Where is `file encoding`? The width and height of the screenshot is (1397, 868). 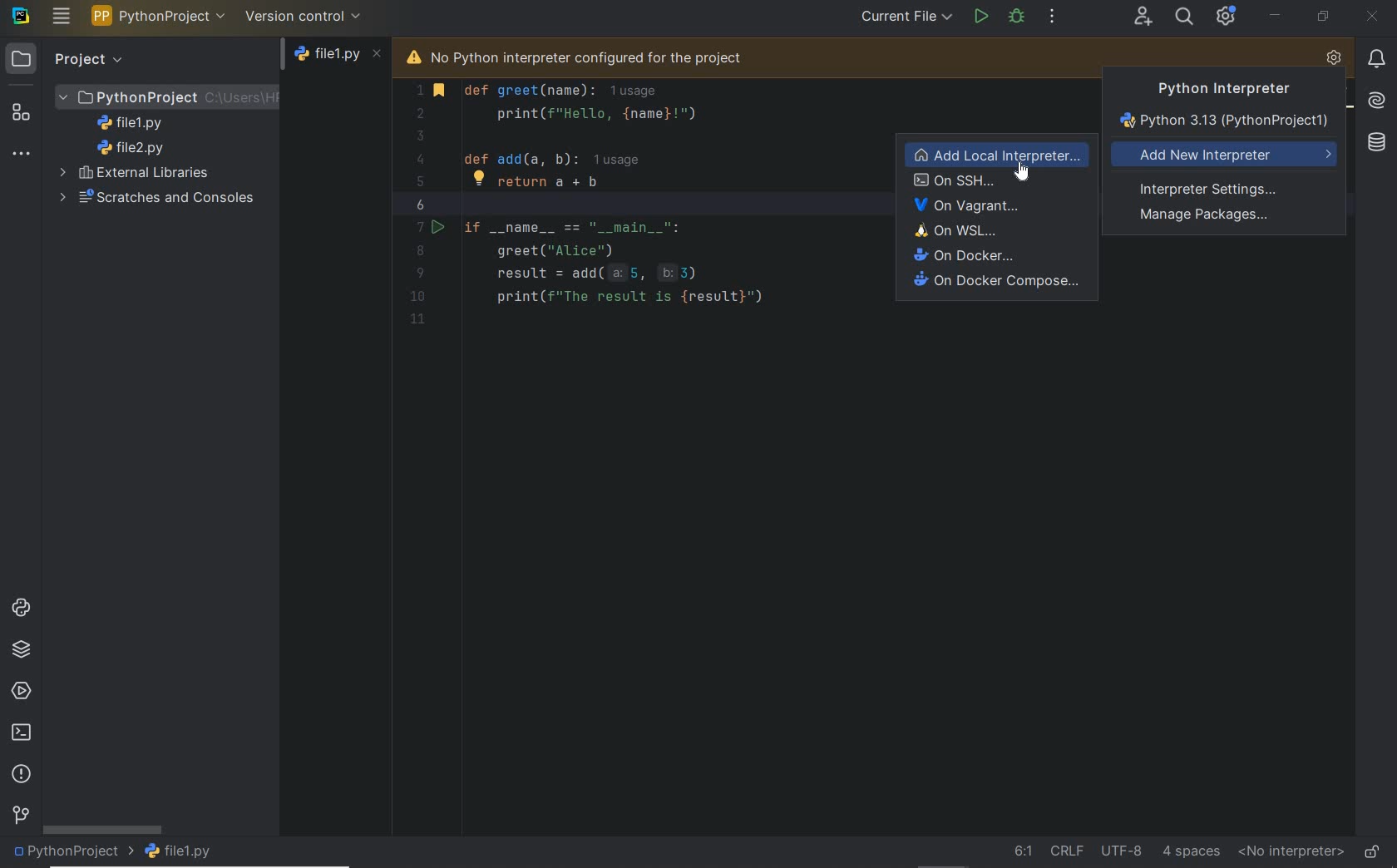
file encoding is located at coordinates (1121, 849).